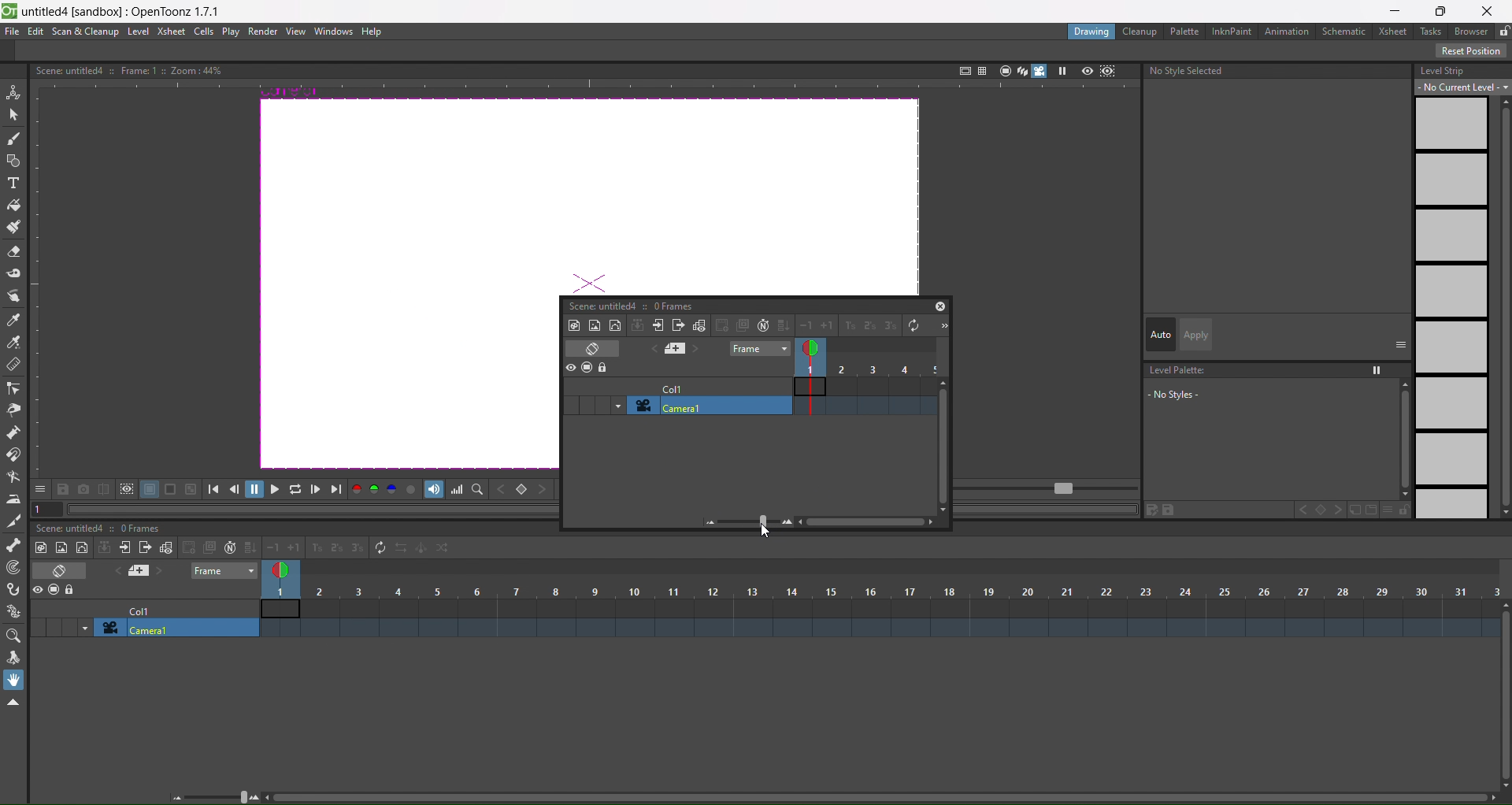 The image size is (1512, 805). What do you see at coordinates (15, 568) in the screenshot?
I see `tracker tool` at bounding box center [15, 568].